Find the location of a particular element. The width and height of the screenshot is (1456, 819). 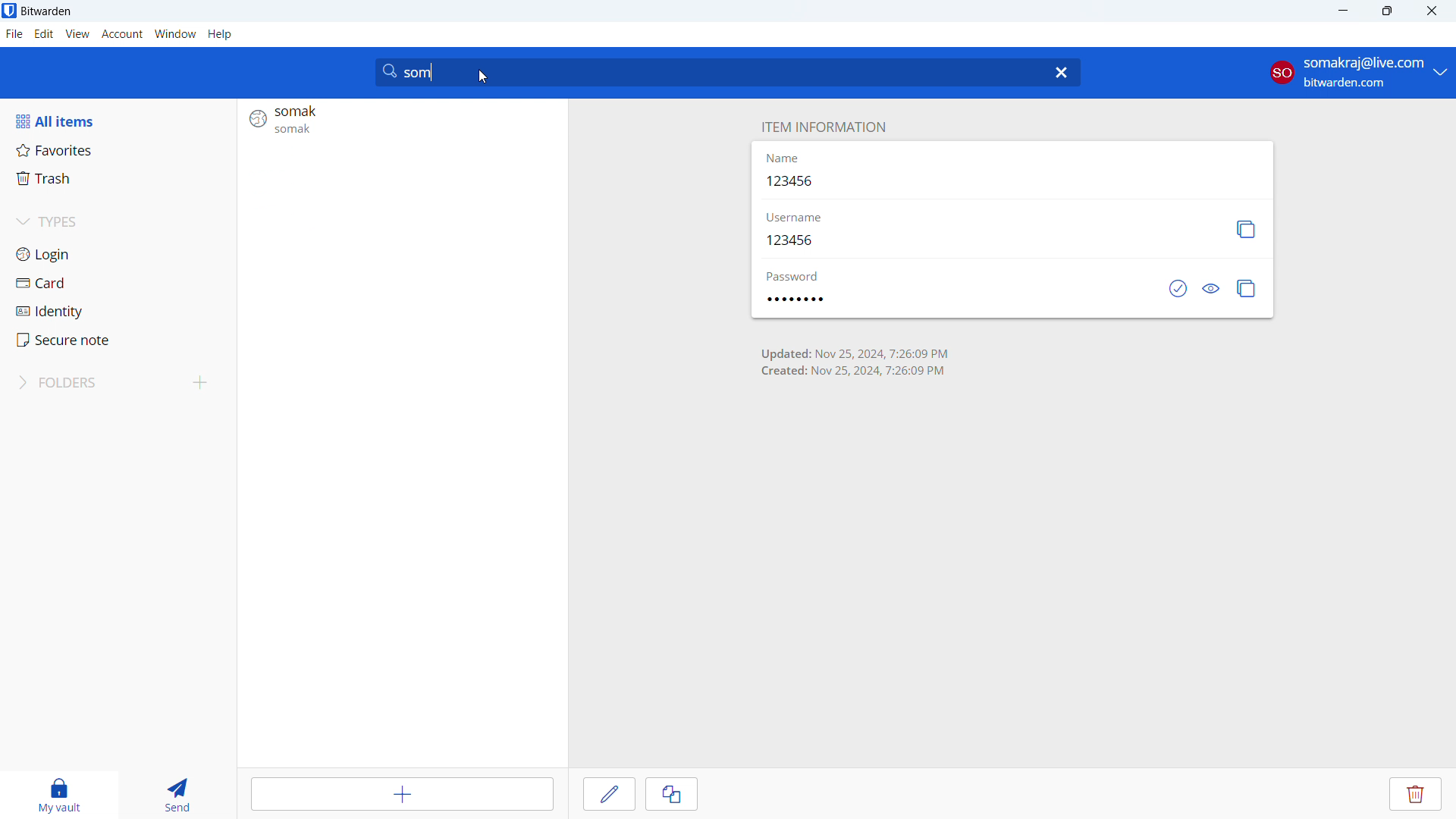

account is located at coordinates (1357, 72).